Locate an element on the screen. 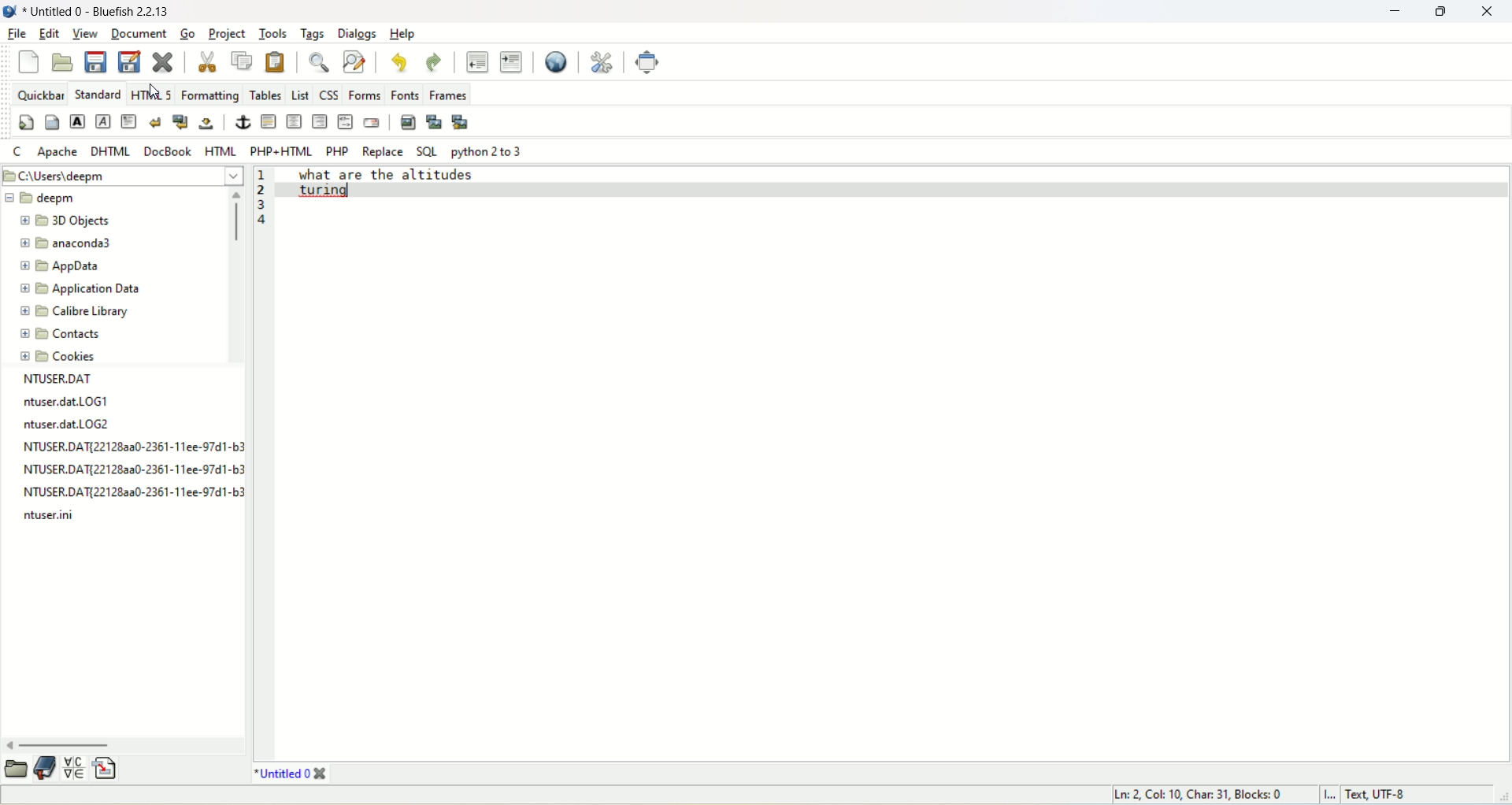  emphasize is located at coordinates (103, 122).